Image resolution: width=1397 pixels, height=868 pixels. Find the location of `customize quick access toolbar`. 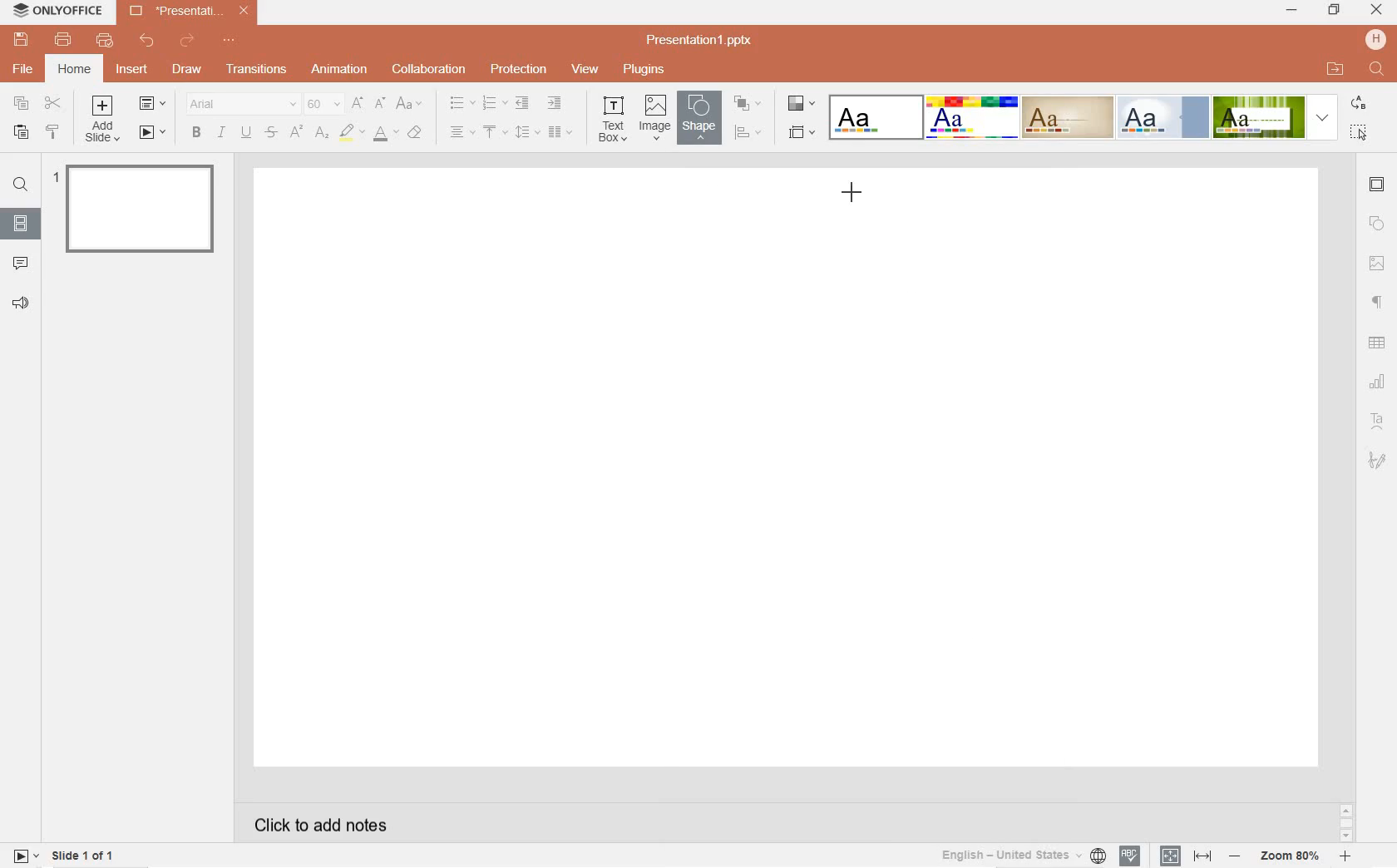

customize quick access toolbar is located at coordinates (233, 42).